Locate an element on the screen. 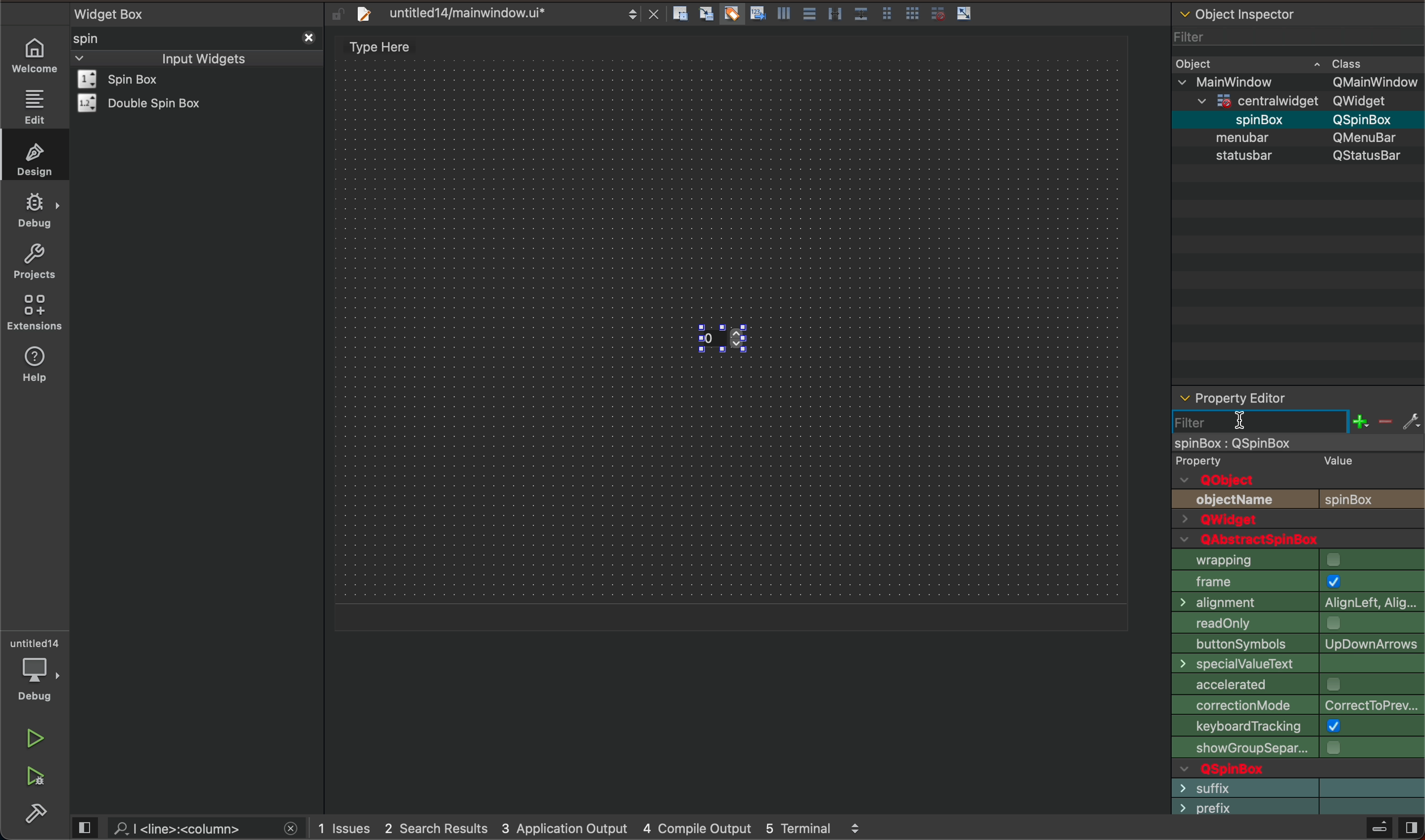 This screenshot has width=1425, height=840. text is located at coordinates (1249, 157).